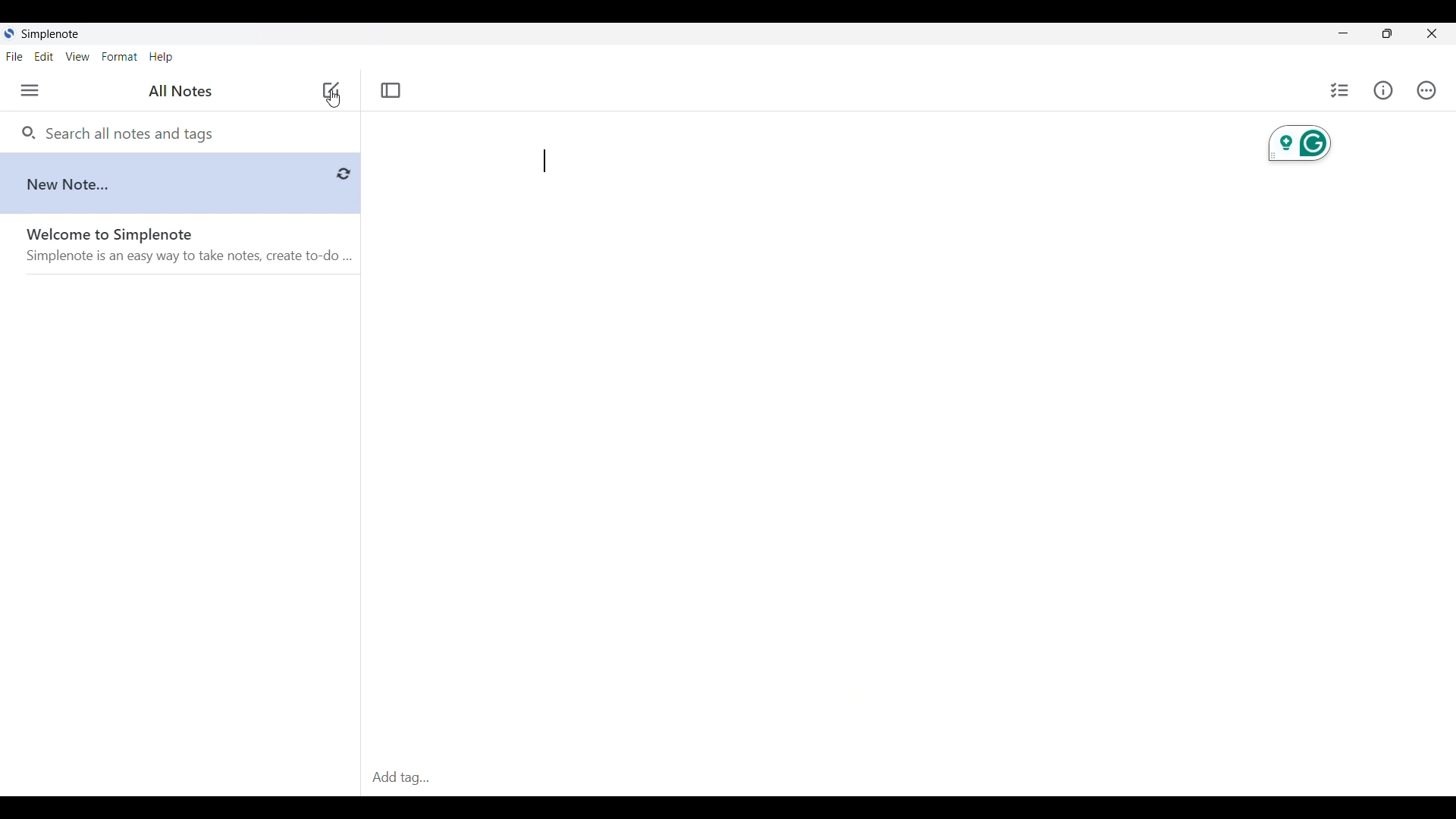  What do you see at coordinates (161, 58) in the screenshot?
I see `Help` at bounding box center [161, 58].